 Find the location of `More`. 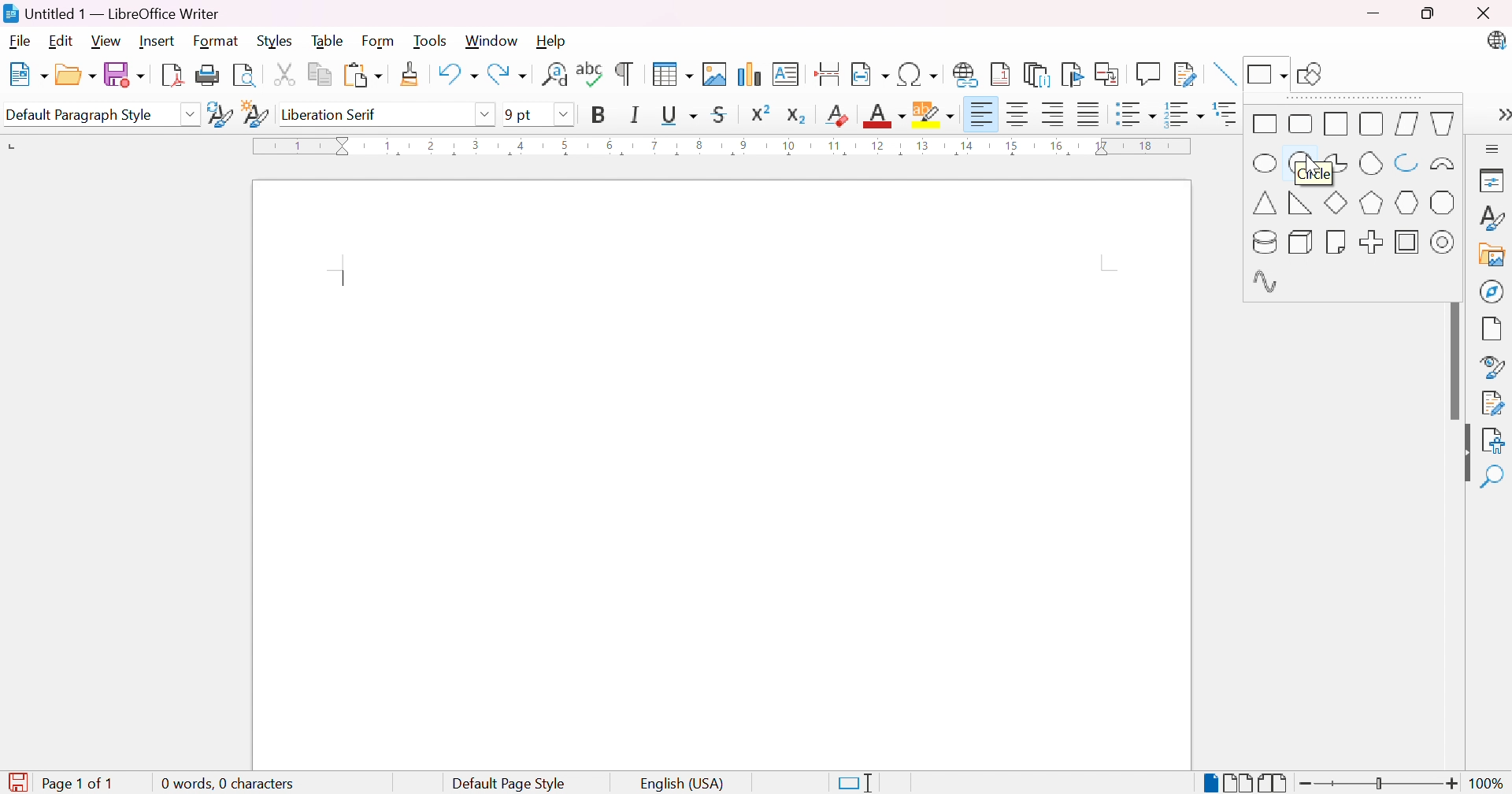

More is located at coordinates (1495, 149).